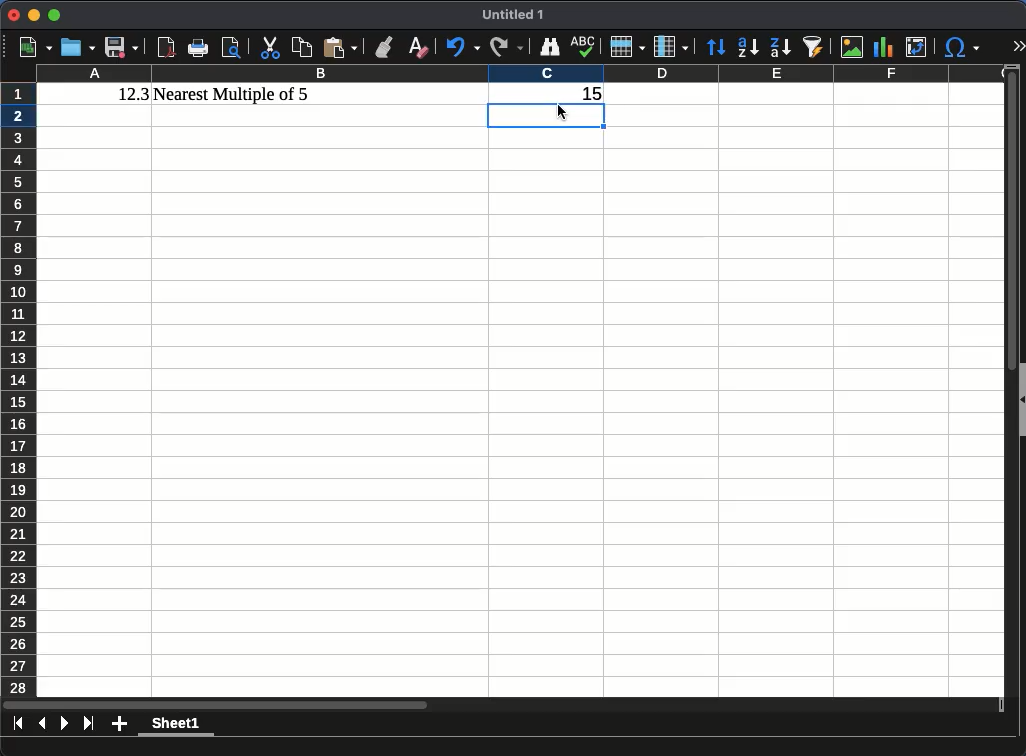  What do you see at coordinates (270, 47) in the screenshot?
I see `cut` at bounding box center [270, 47].